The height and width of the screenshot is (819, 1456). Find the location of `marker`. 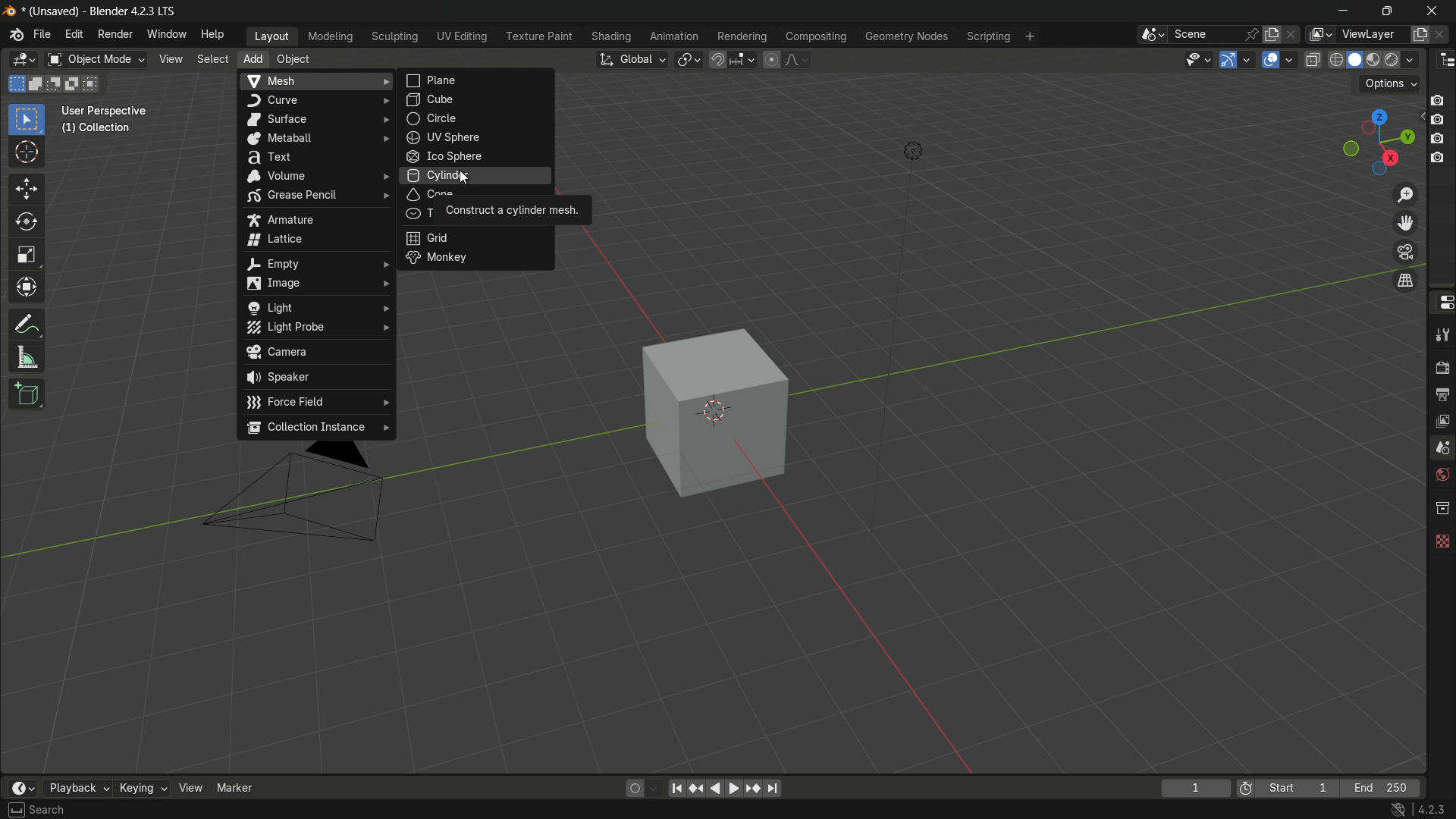

marker is located at coordinates (236, 787).